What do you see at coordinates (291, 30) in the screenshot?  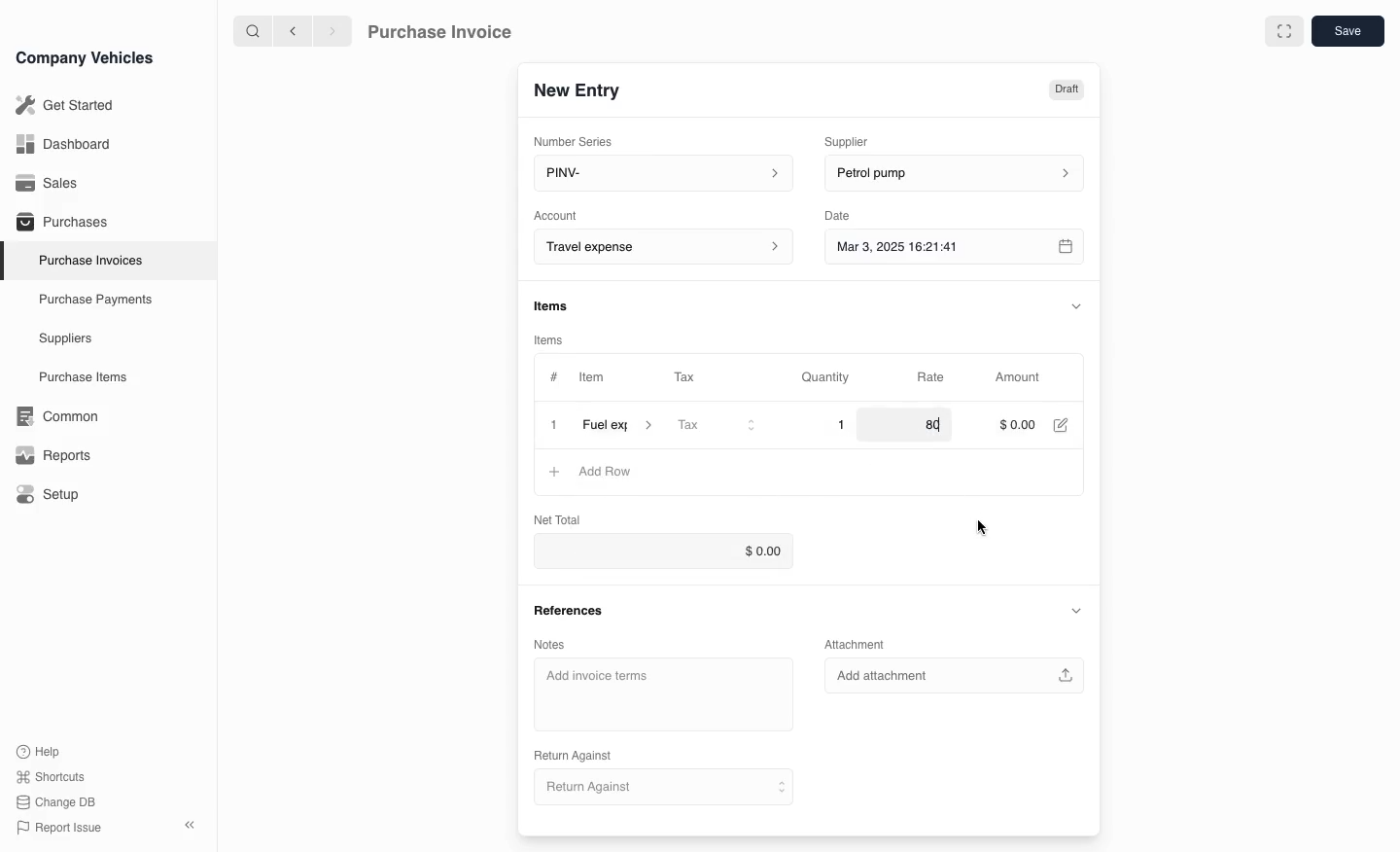 I see `previous` at bounding box center [291, 30].